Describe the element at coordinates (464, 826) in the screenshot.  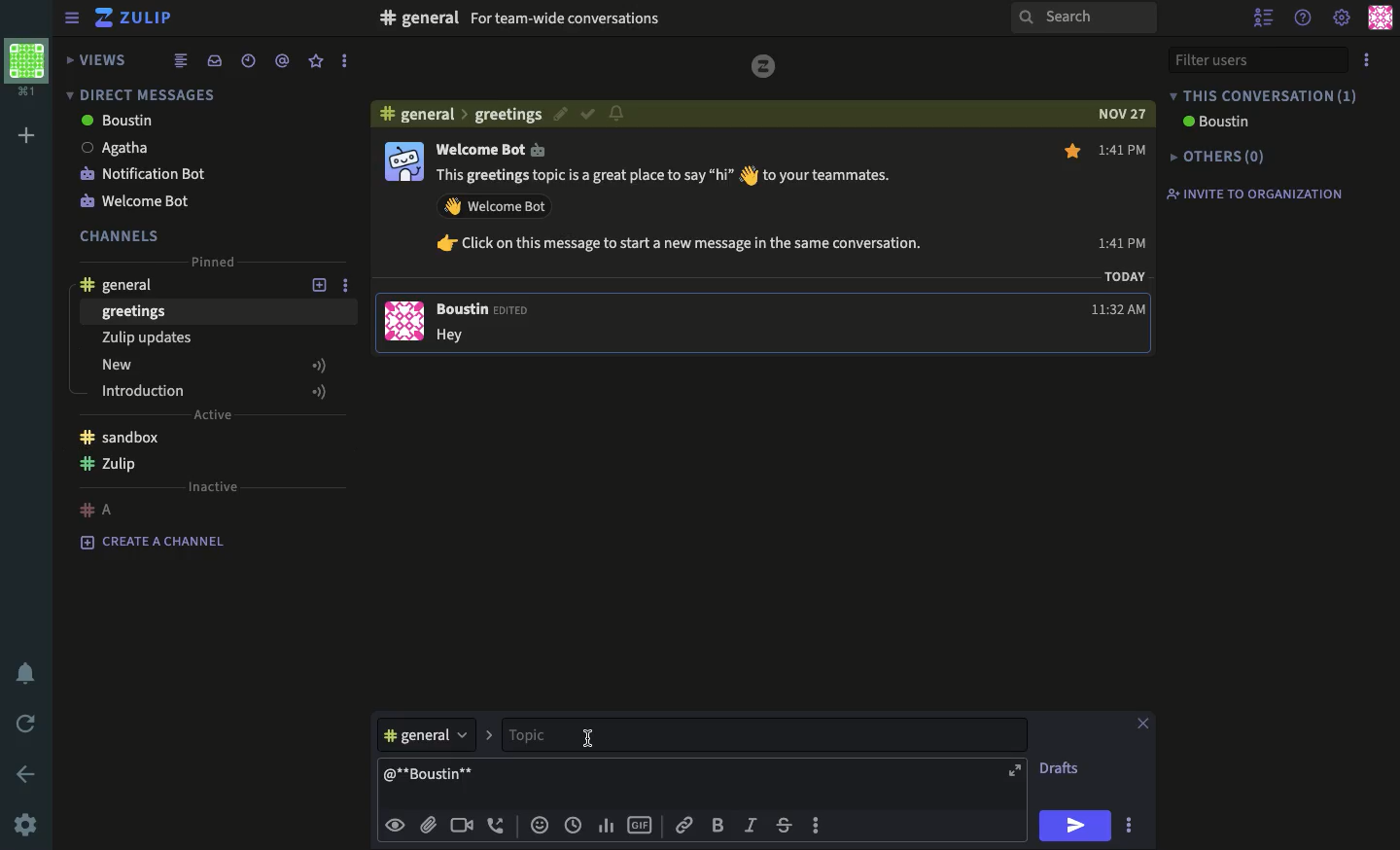
I see `video call` at that location.